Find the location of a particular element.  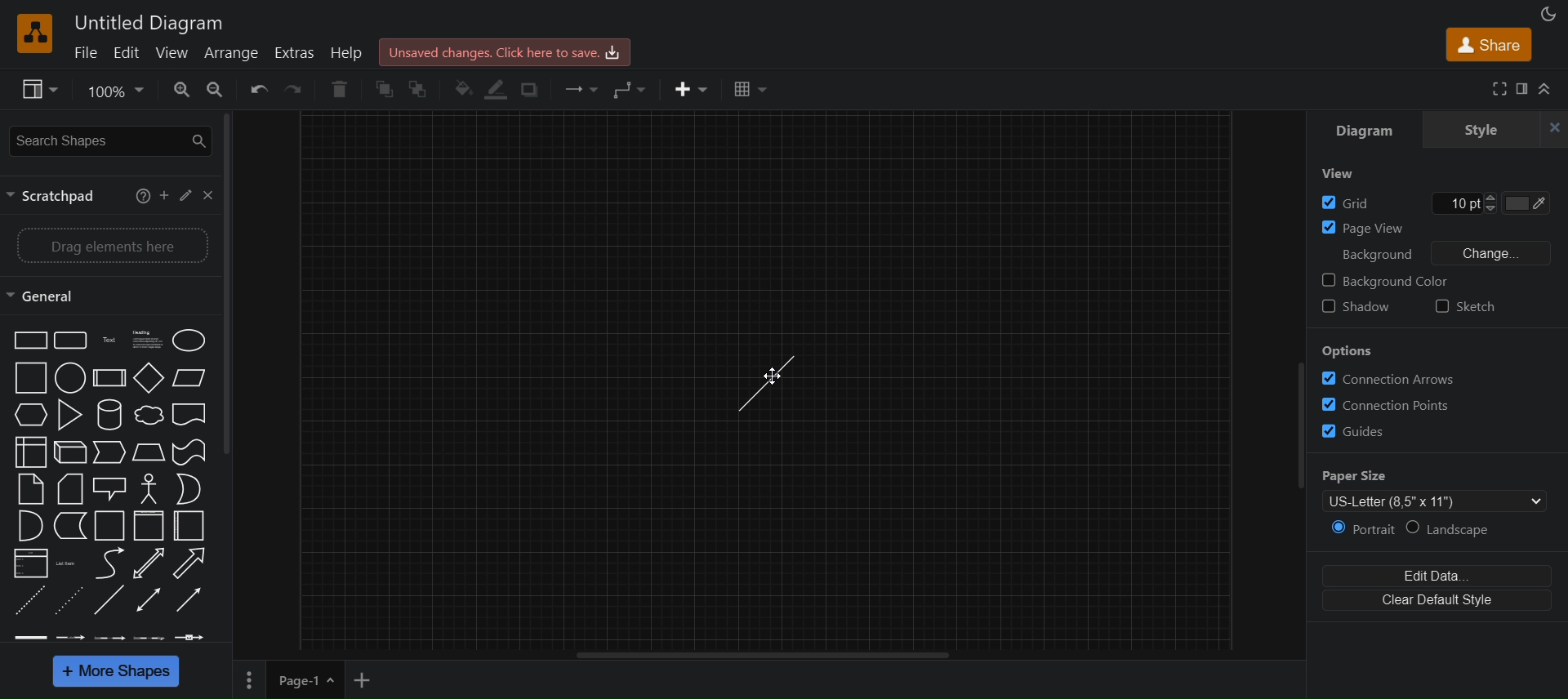

edit is located at coordinates (127, 52).